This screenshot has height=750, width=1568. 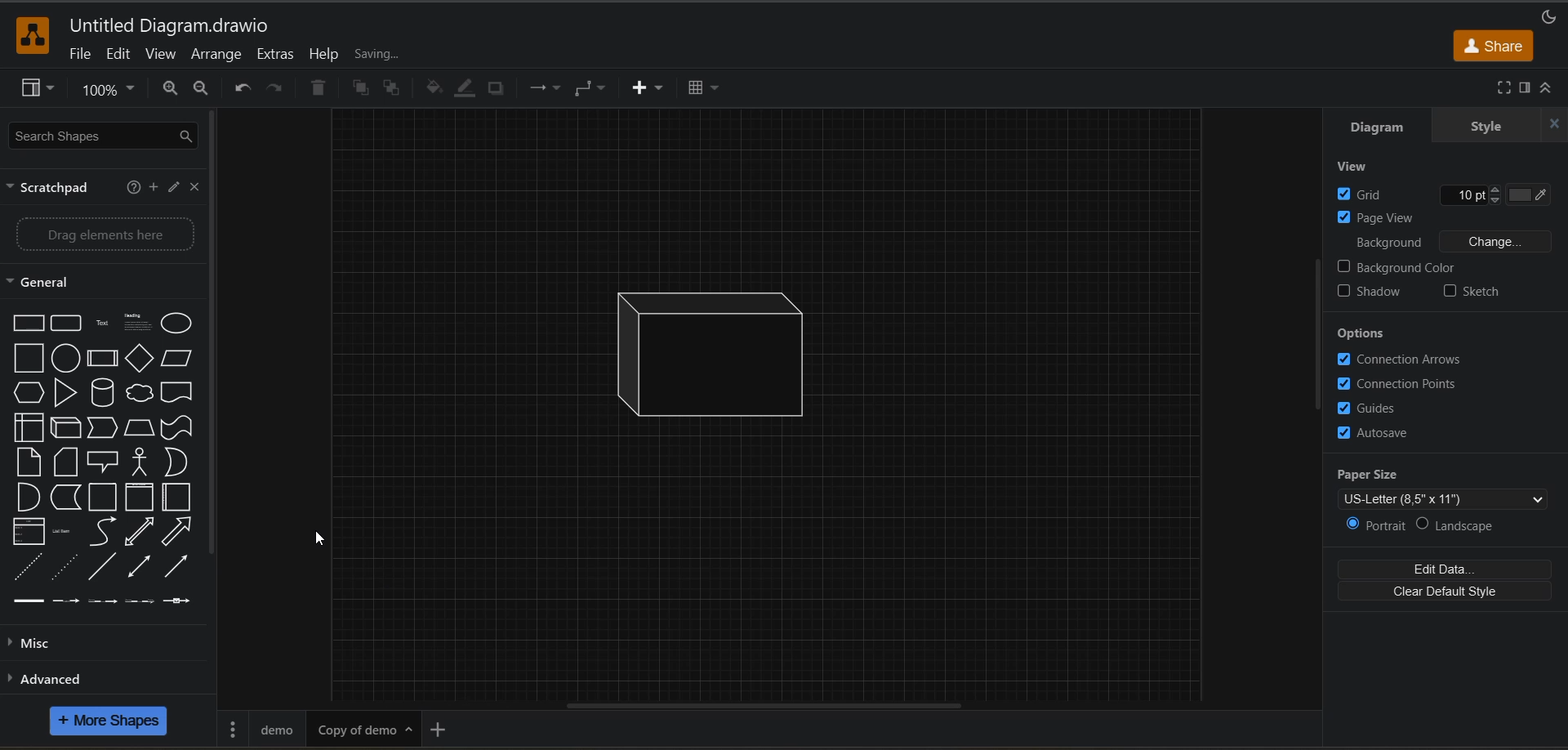 I want to click on undo, so click(x=243, y=88).